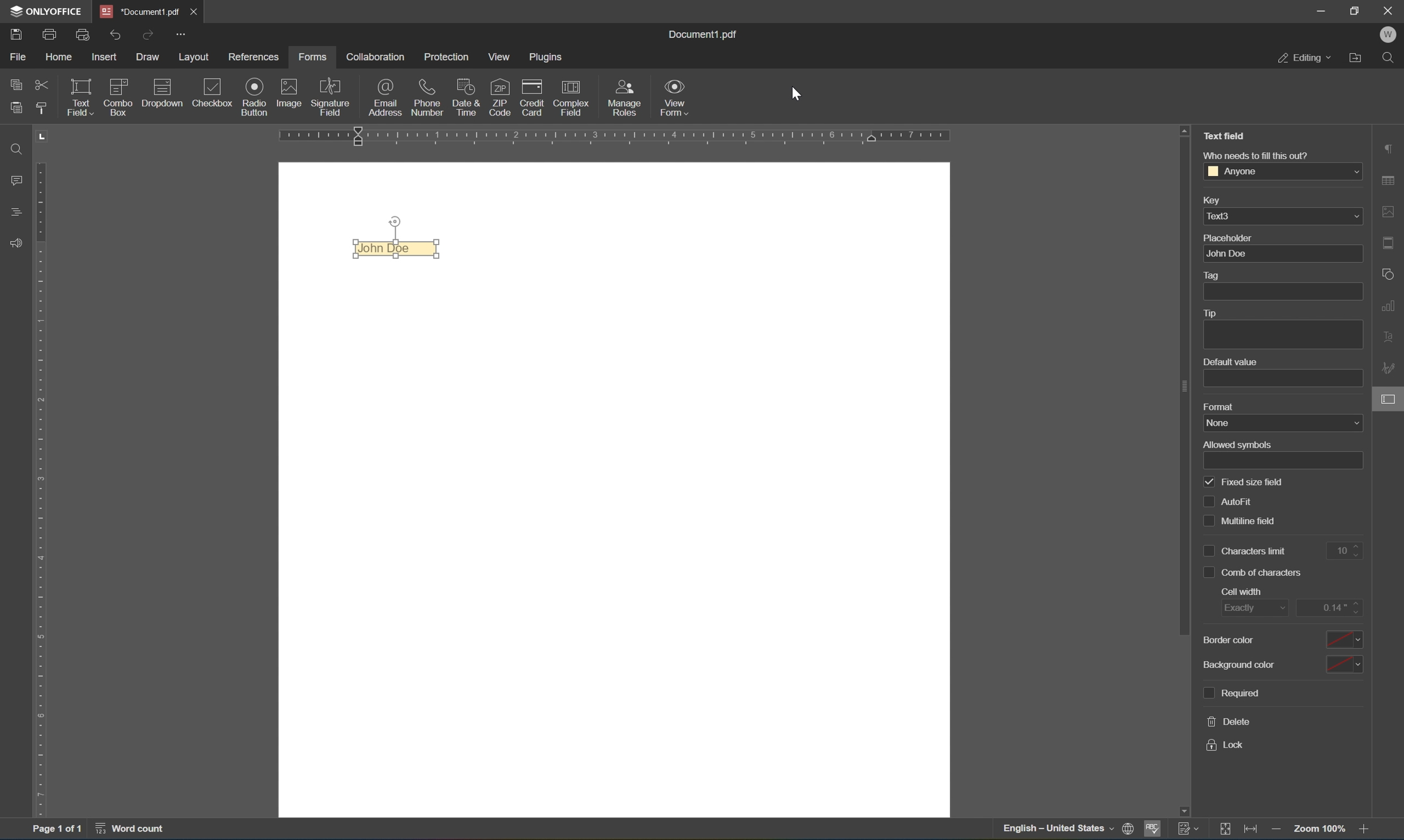 The image size is (1404, 840). I want to click on fit to slide, so click(1226, 830).